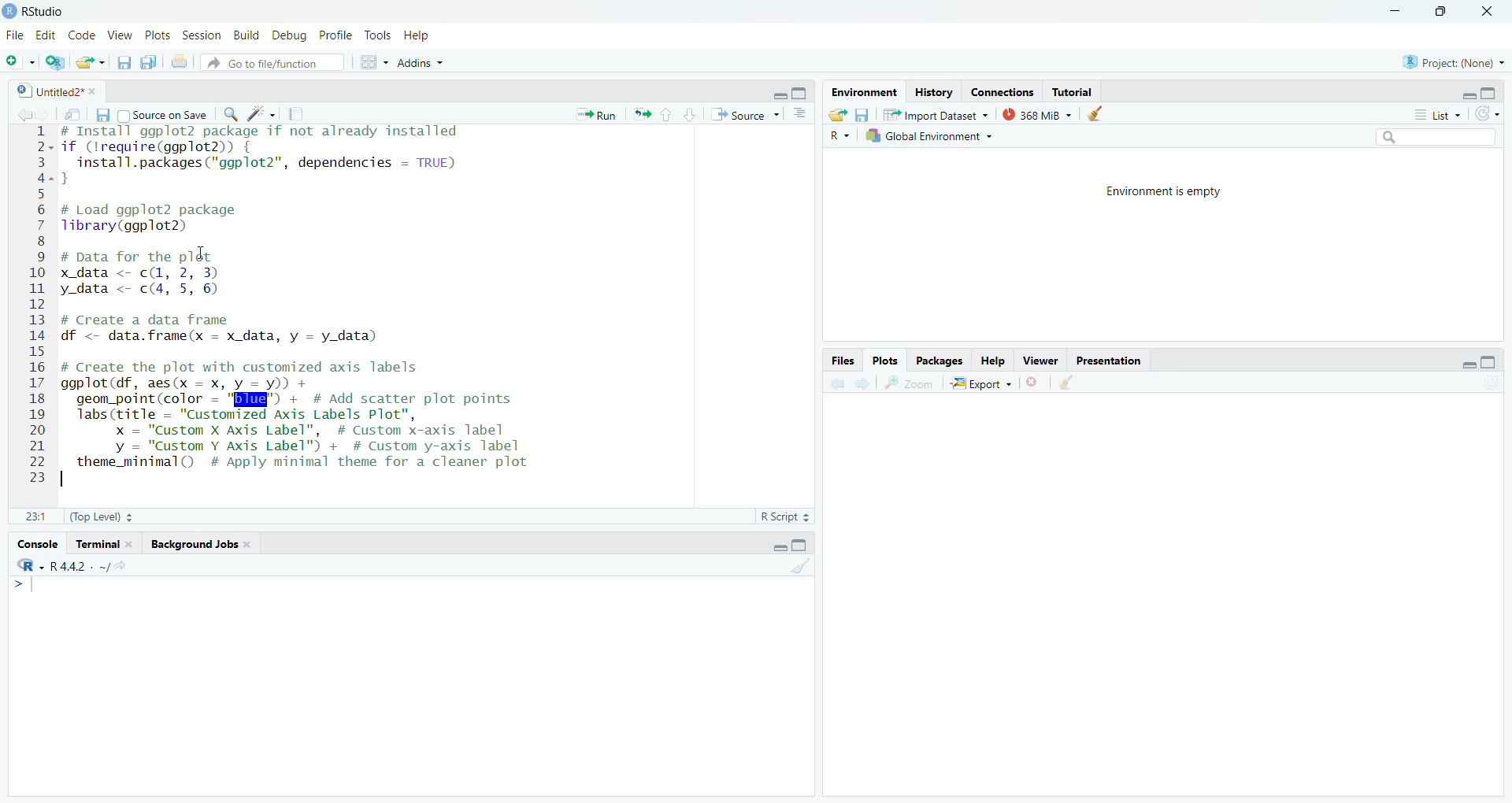 The height and width of the screenshot is (803, 1512). What do you see at coordinates (740, 115) in the screenshot?
I see `Source` at bounding box center [740, 115].